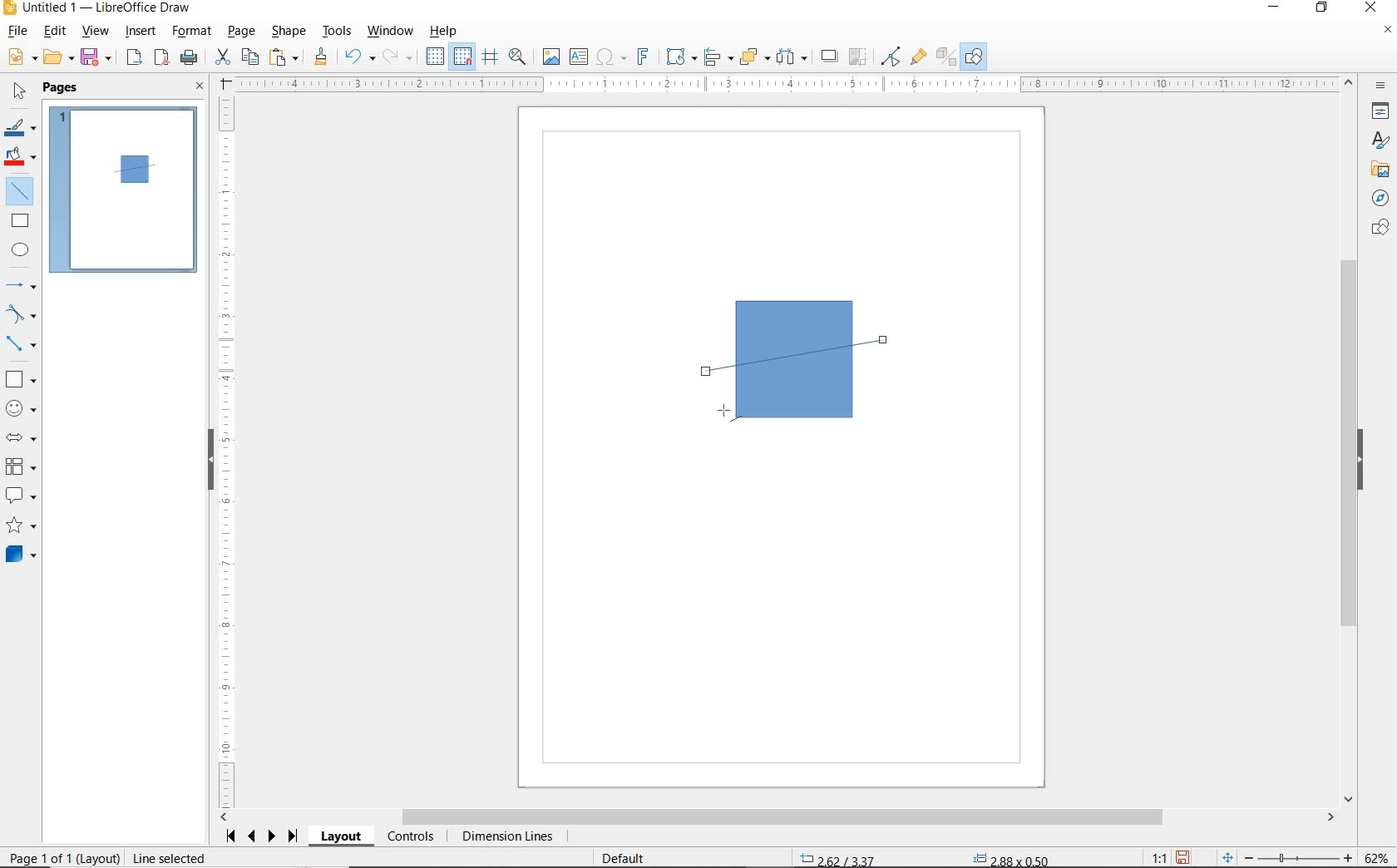 The height and width of the screenshot is (868, 1397). I want to click on TOGGLE EXTRUSION, so click(945, 56).